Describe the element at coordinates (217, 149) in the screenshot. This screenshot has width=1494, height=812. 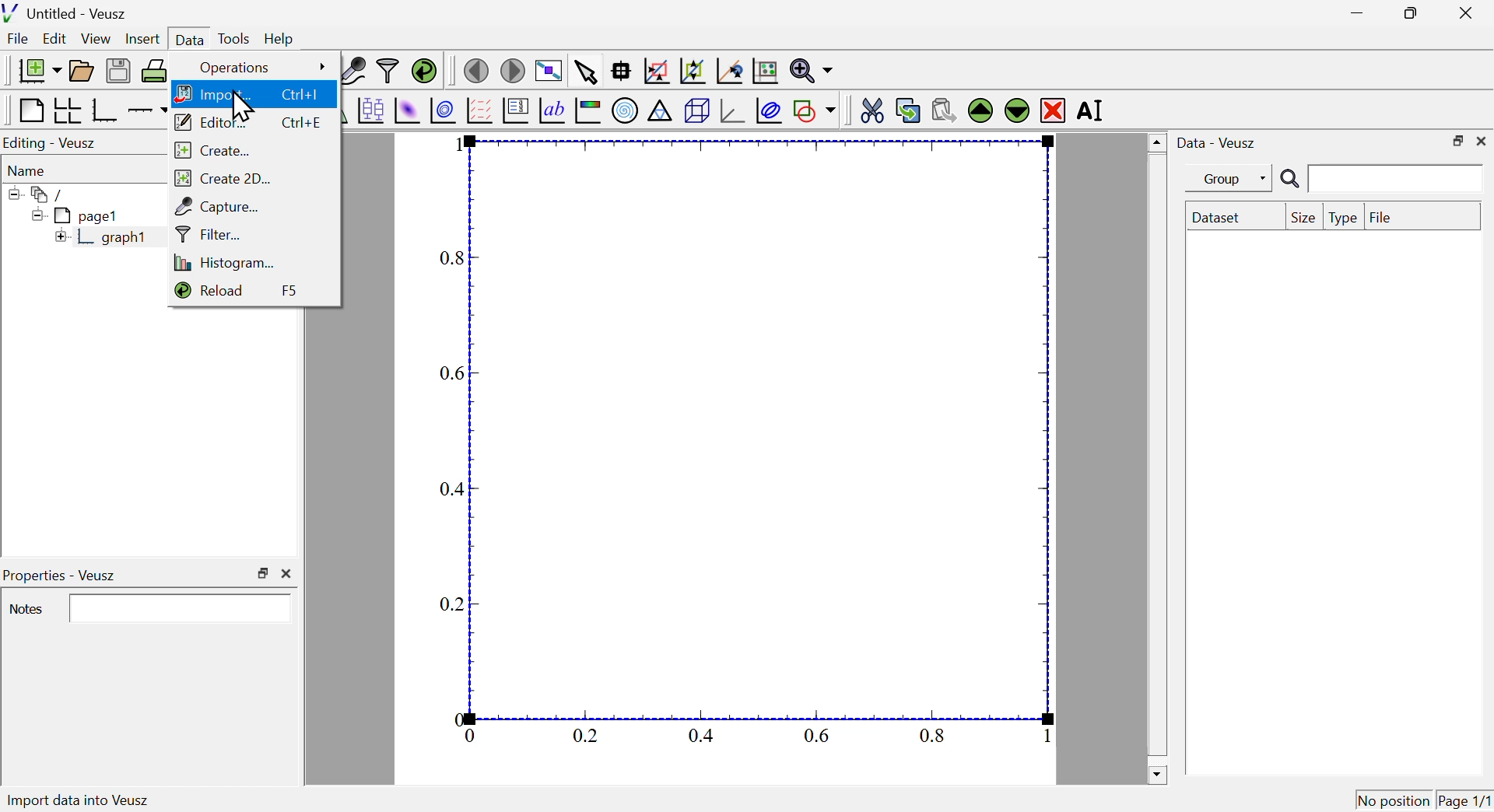
I see `Create...` at that location.